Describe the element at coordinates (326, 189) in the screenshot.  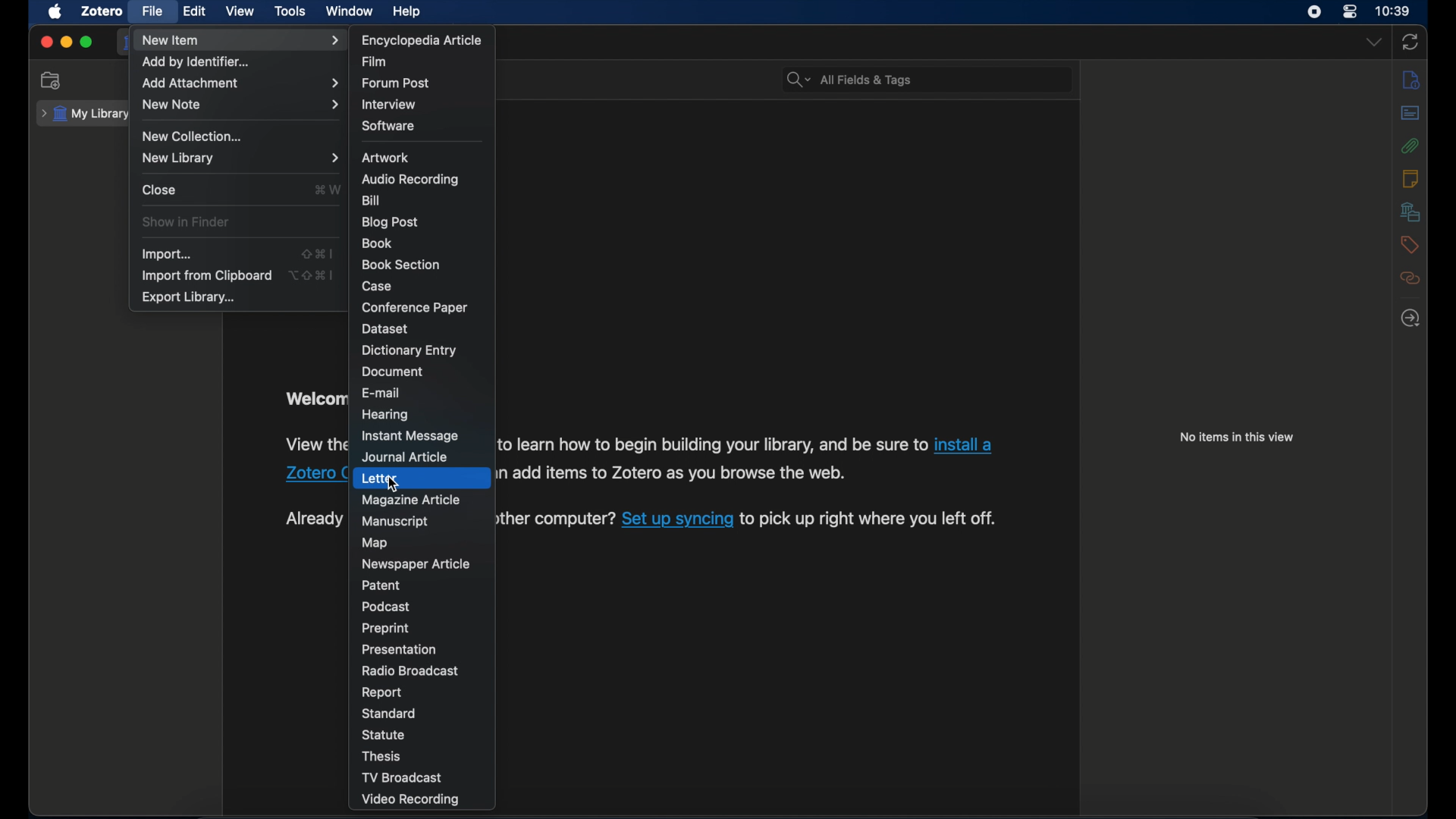
I see `shortcut` at that location.